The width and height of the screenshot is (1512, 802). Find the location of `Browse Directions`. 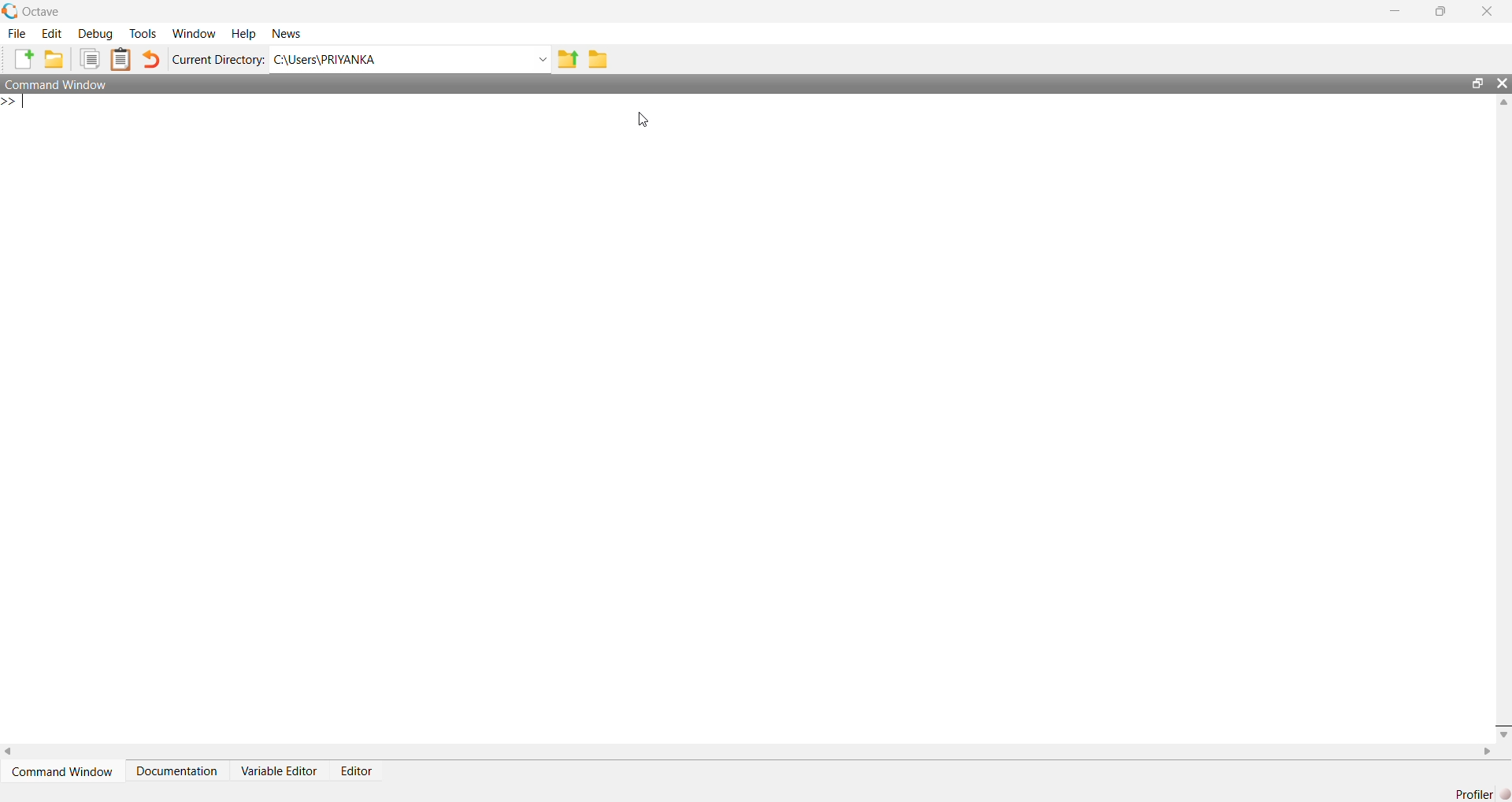

Browse Directions is located at coordinates (598, 58).